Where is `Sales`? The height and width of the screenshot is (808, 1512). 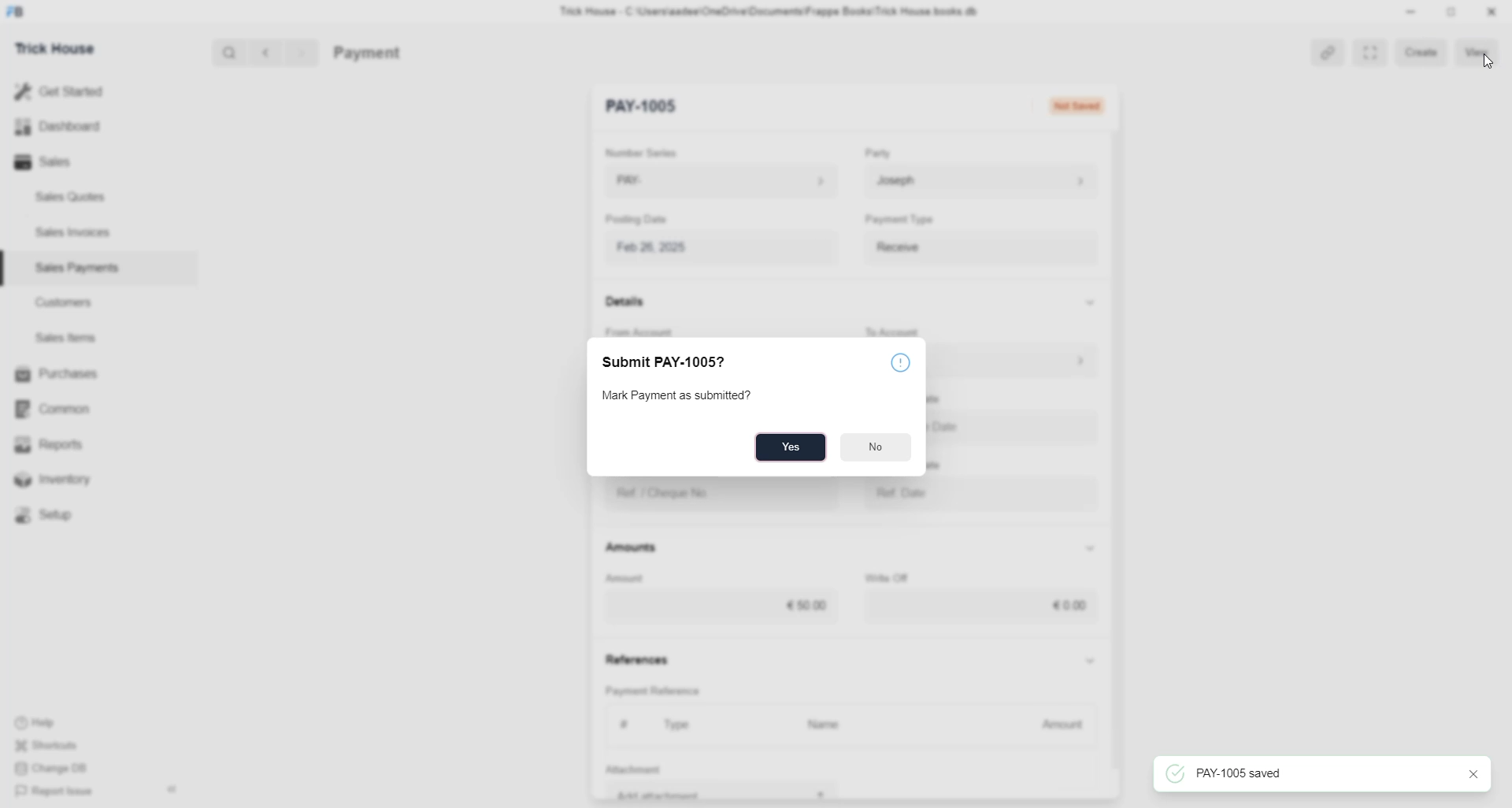
Sales is located at coordinates (47, 162).